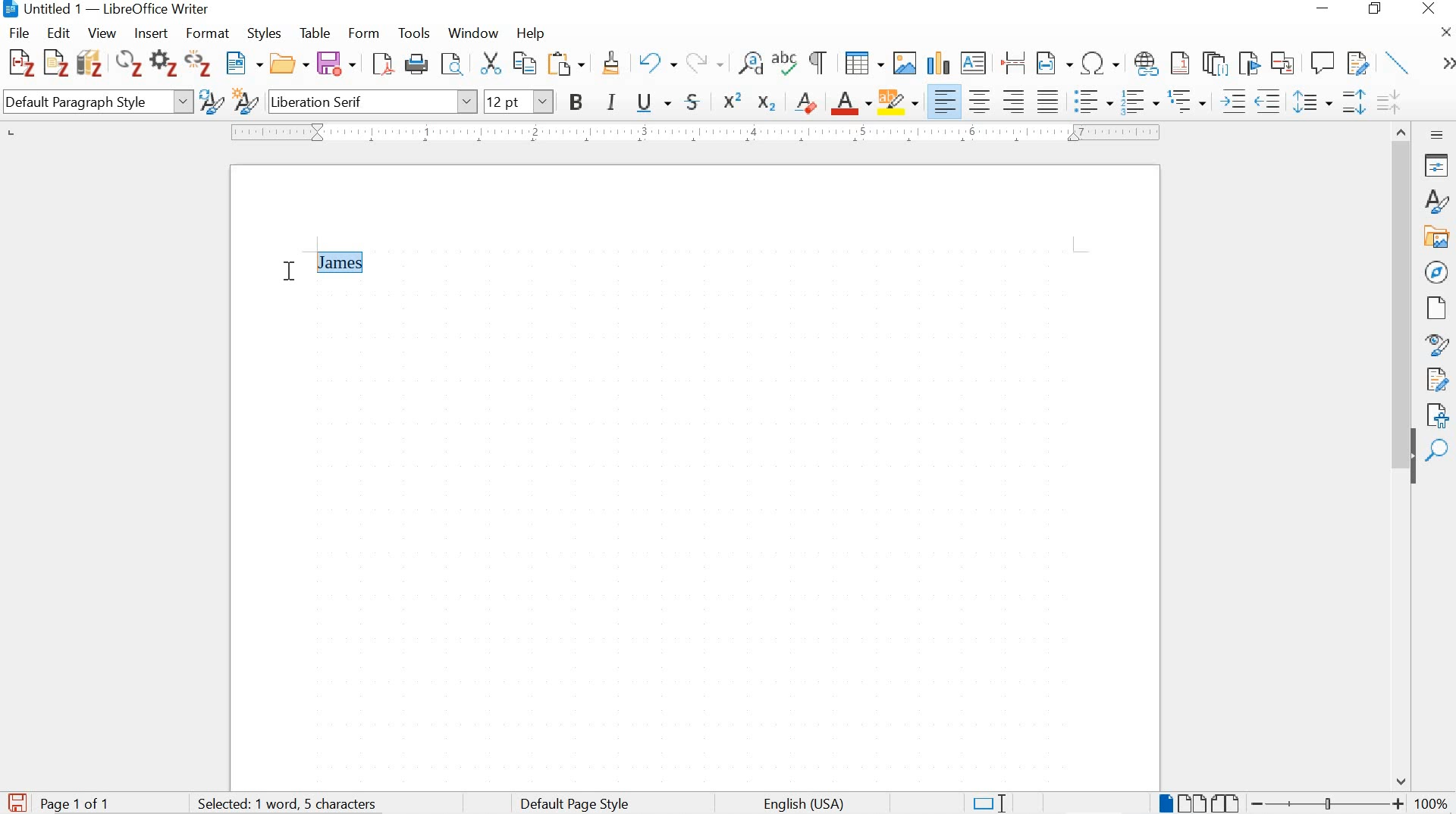 The height and width of the screenshot is (814, 1456). Describe the element at coordinates (17, 800) in the screenshot. I see `save` at that location.